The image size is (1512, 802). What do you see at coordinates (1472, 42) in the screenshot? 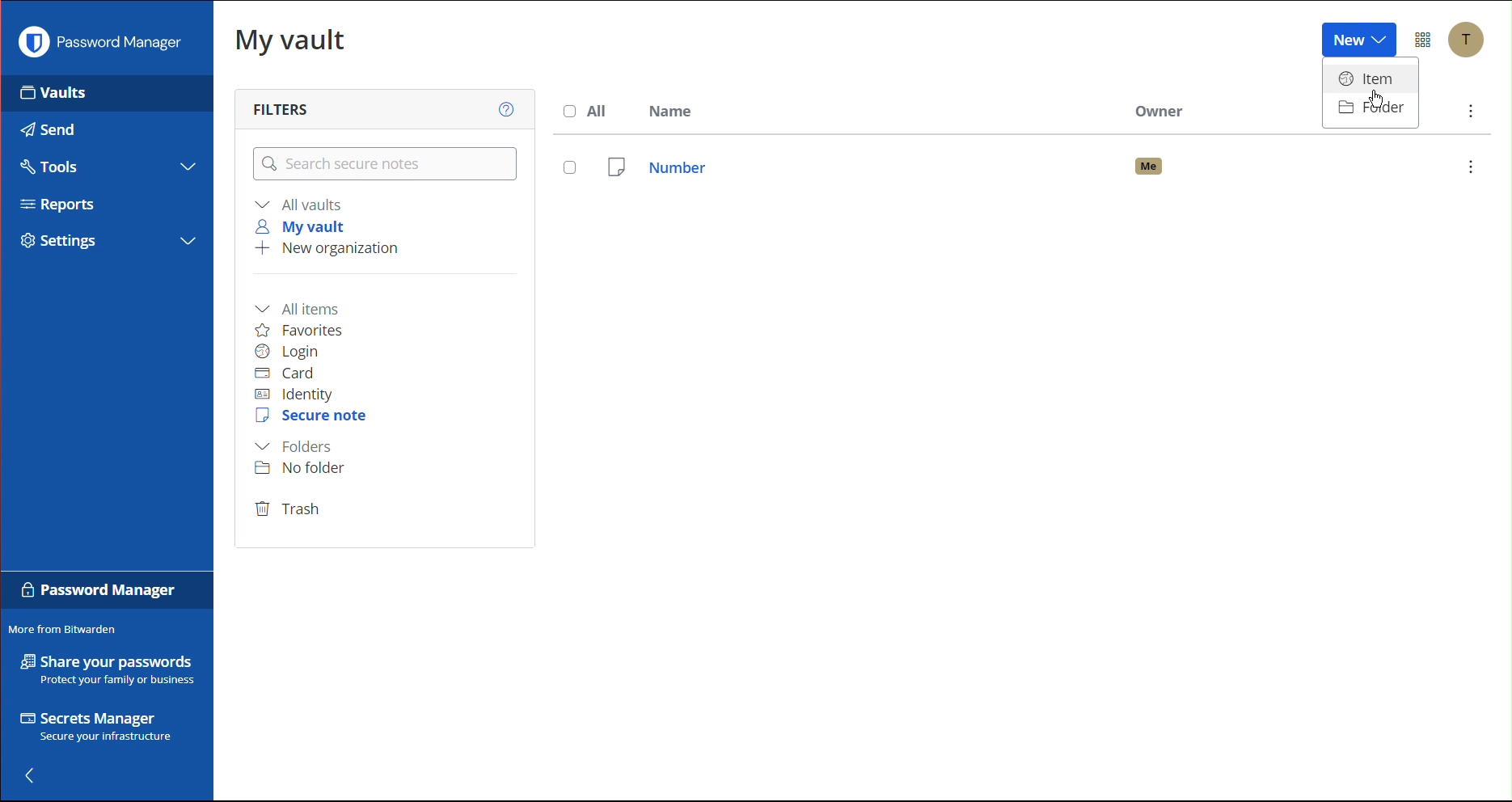
I see `Account` at bounding box center [1472, 42].